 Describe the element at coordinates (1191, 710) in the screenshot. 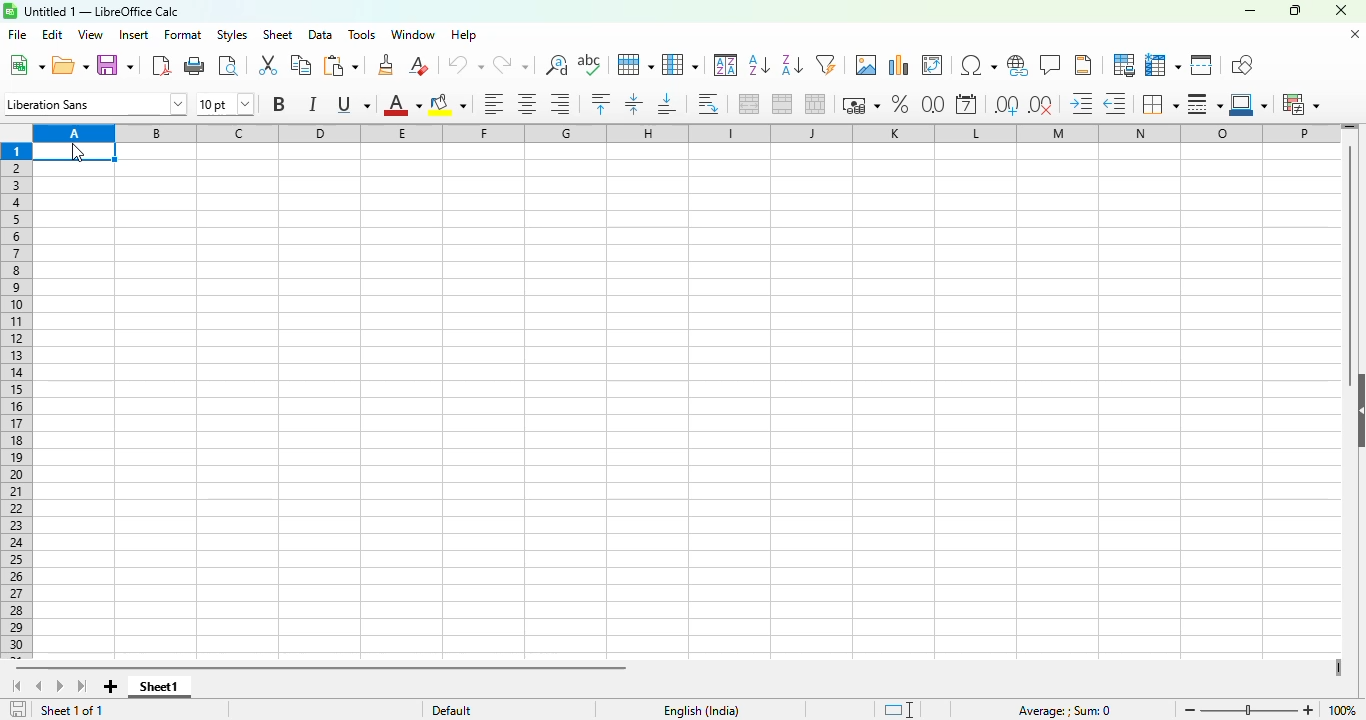

I see `zoom out` at that location.